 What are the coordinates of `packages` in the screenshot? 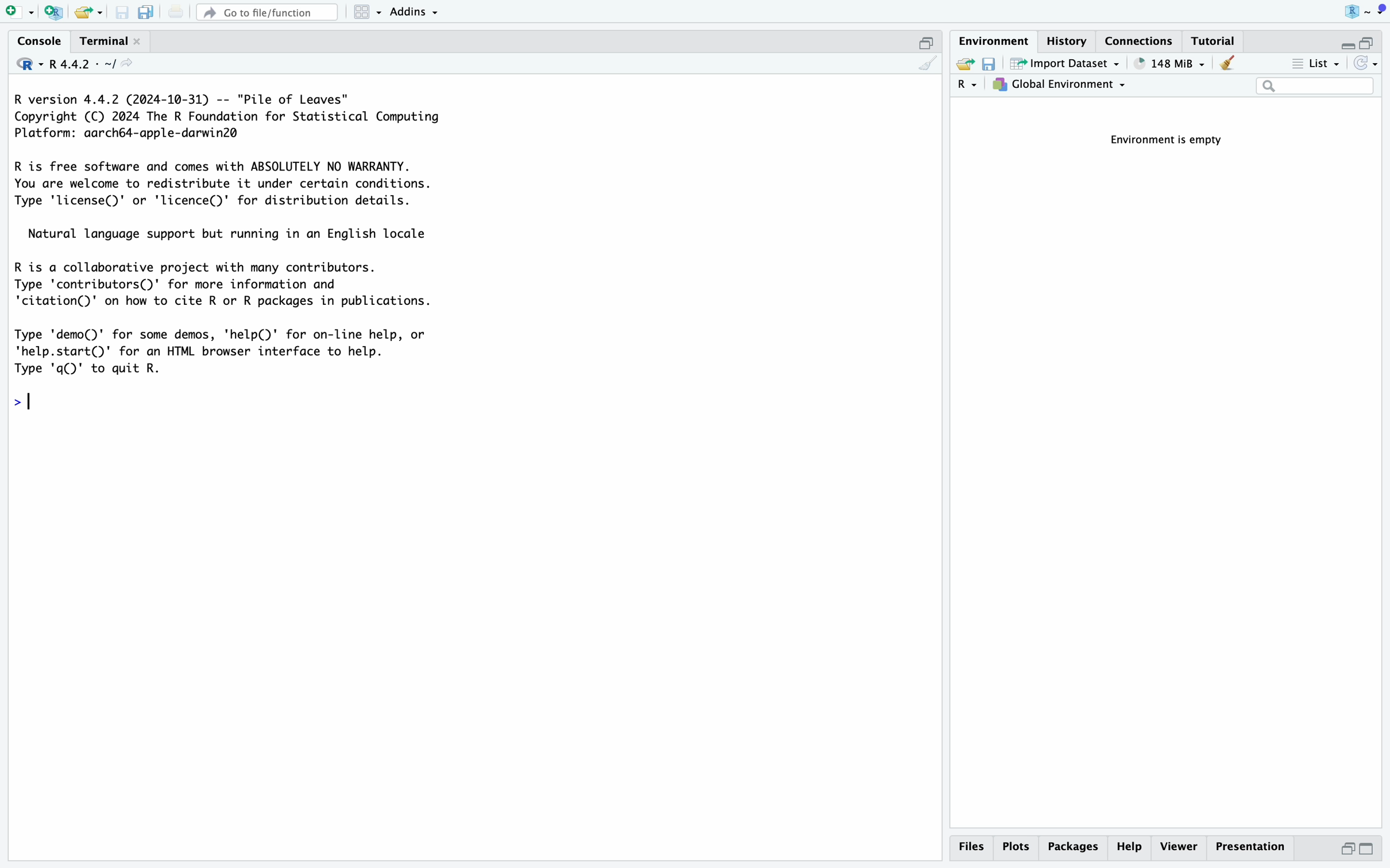 It's located at (1072, 849).